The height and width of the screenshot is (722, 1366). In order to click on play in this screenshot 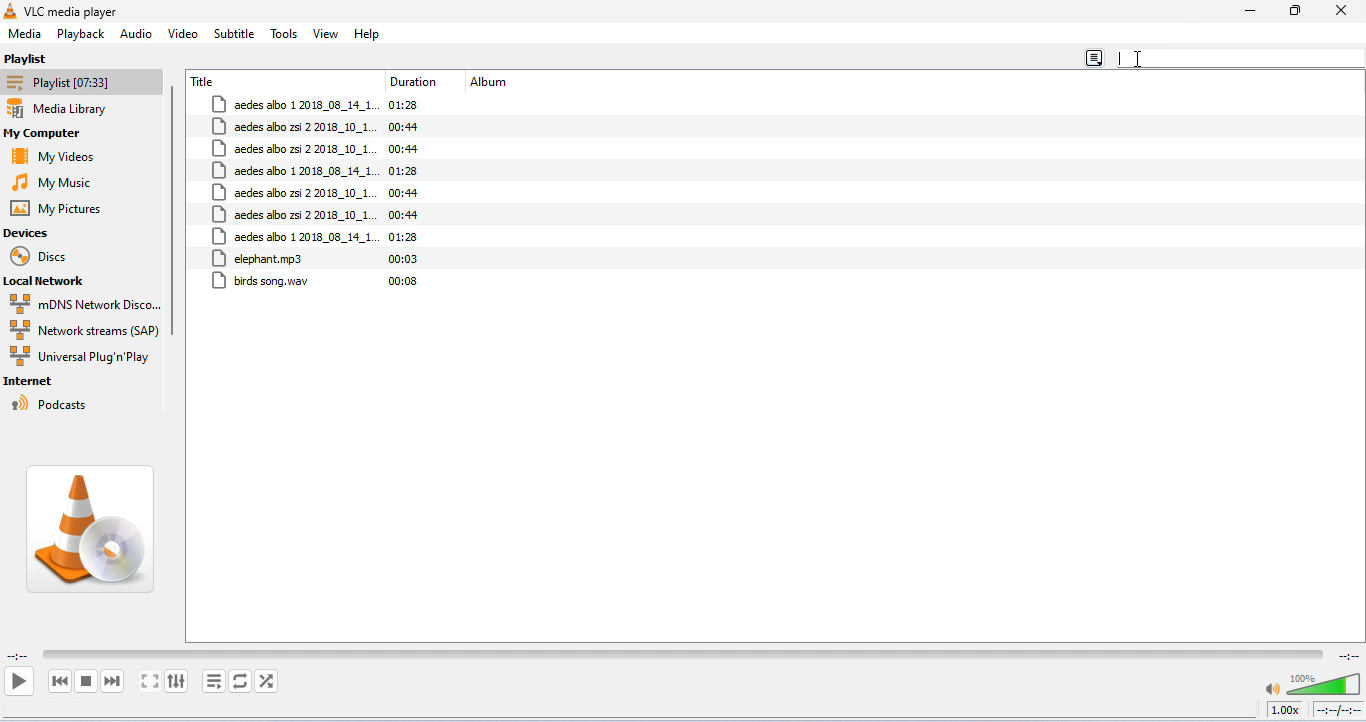, I will do `click(18, 680)`.